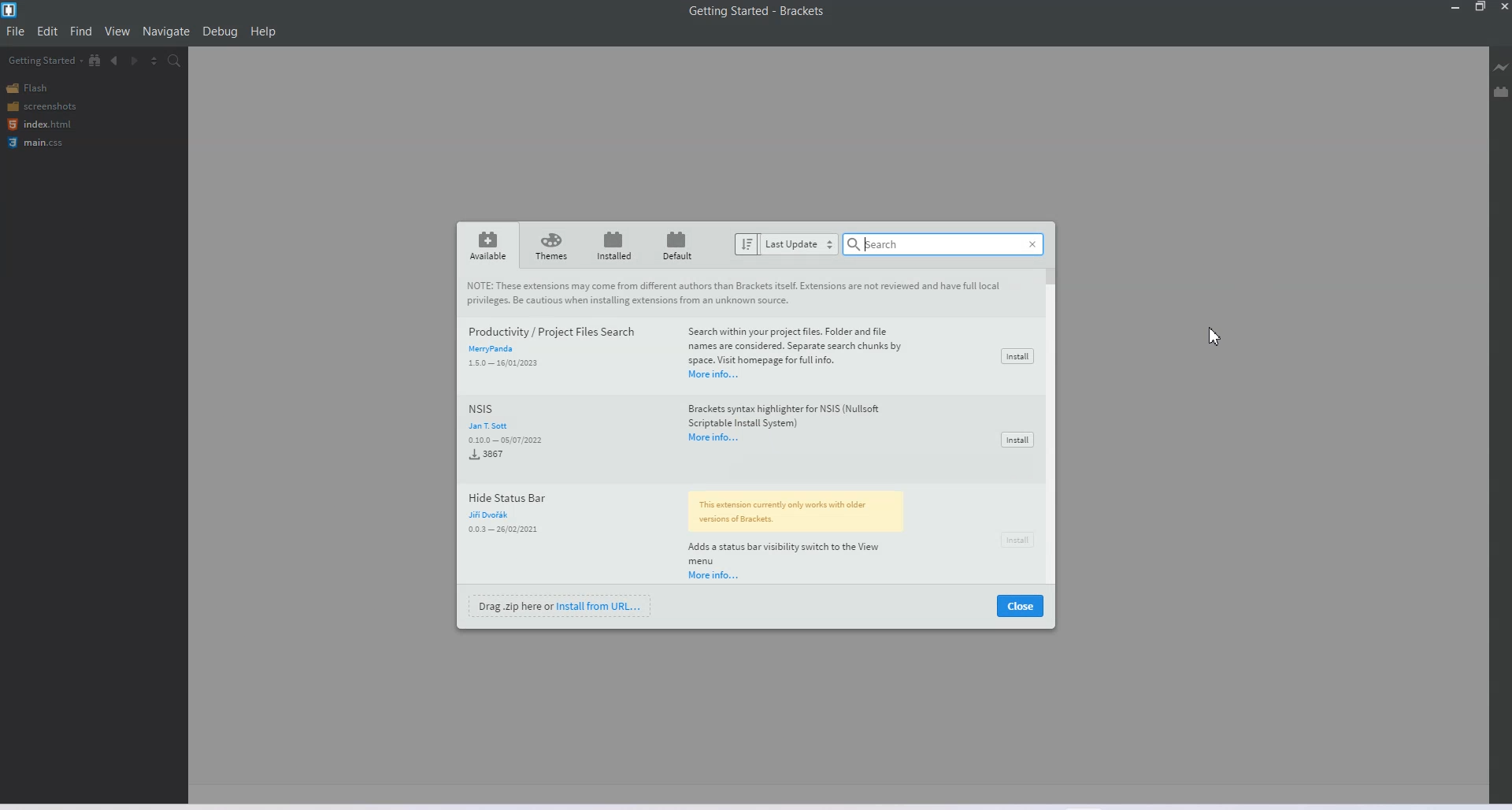 The width and height of the screenshot is (1512, 810). Describe the element at coordinates (757, 12) in the screenshot. I see `Getting Started-Brackets` at that location.